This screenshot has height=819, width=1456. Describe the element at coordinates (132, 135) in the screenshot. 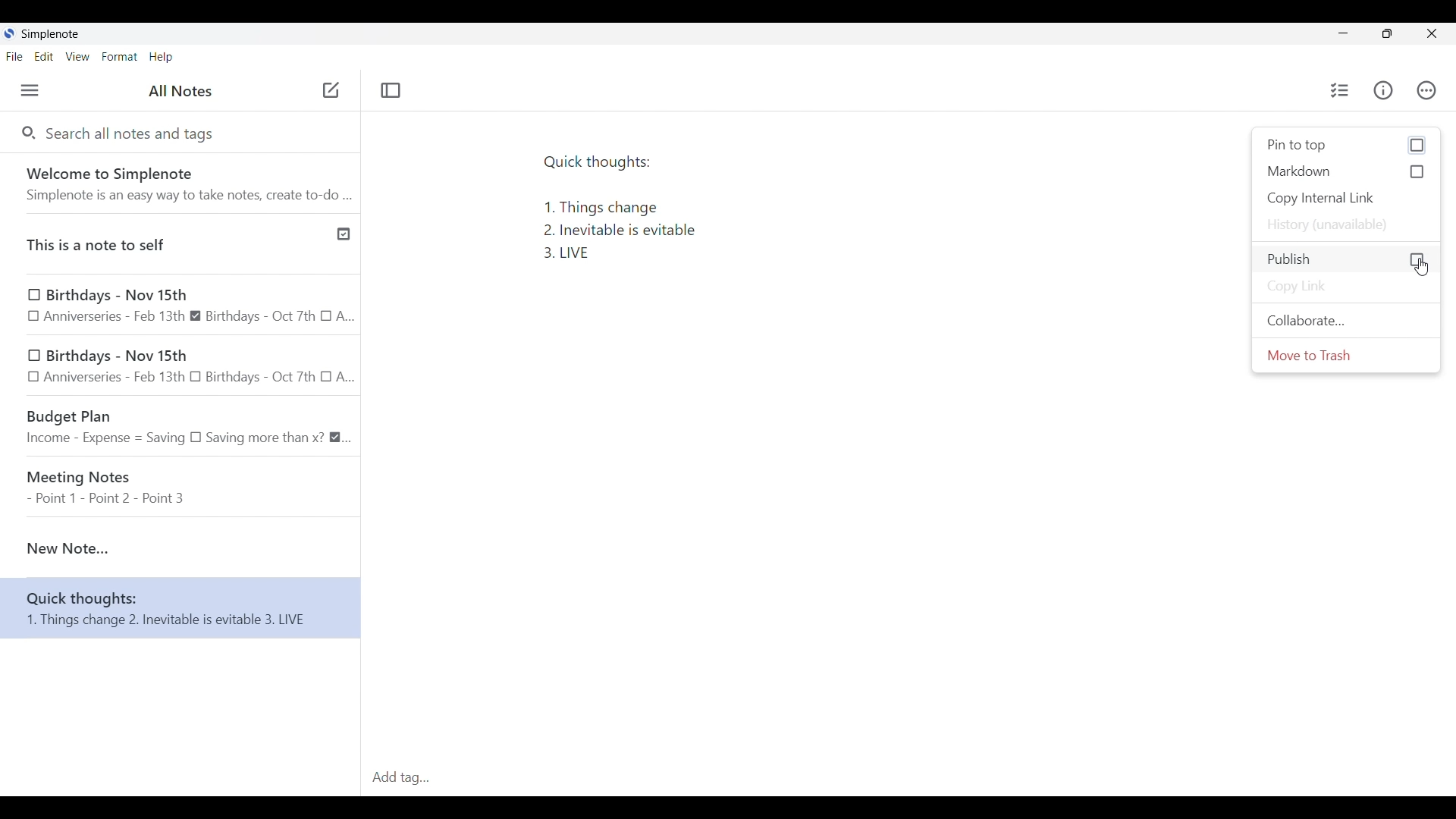

I see `Search all notes and tags` at that location.